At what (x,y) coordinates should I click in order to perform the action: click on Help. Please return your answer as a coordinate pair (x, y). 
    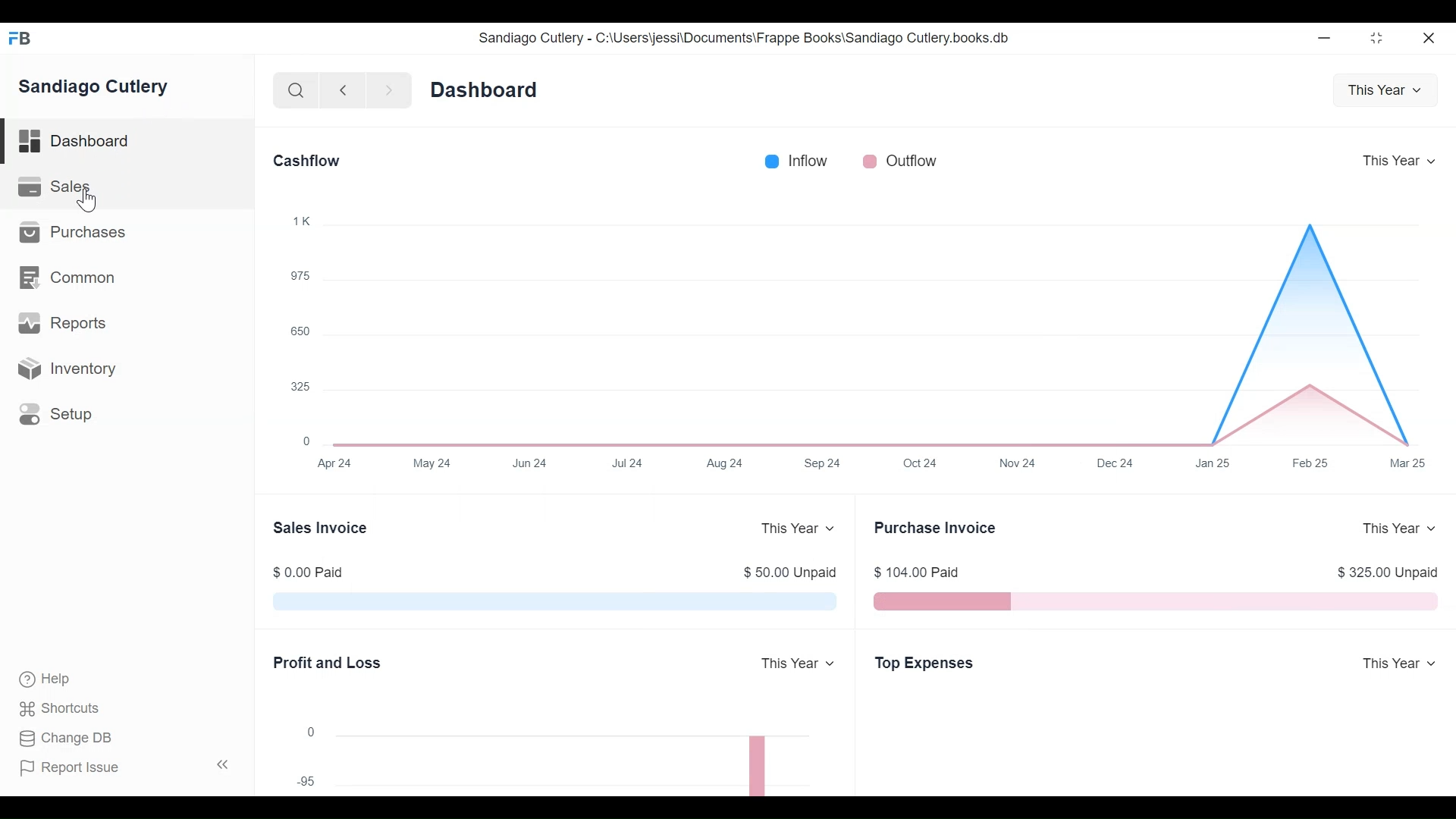
    Looking at the image, I should click on (49, 680).